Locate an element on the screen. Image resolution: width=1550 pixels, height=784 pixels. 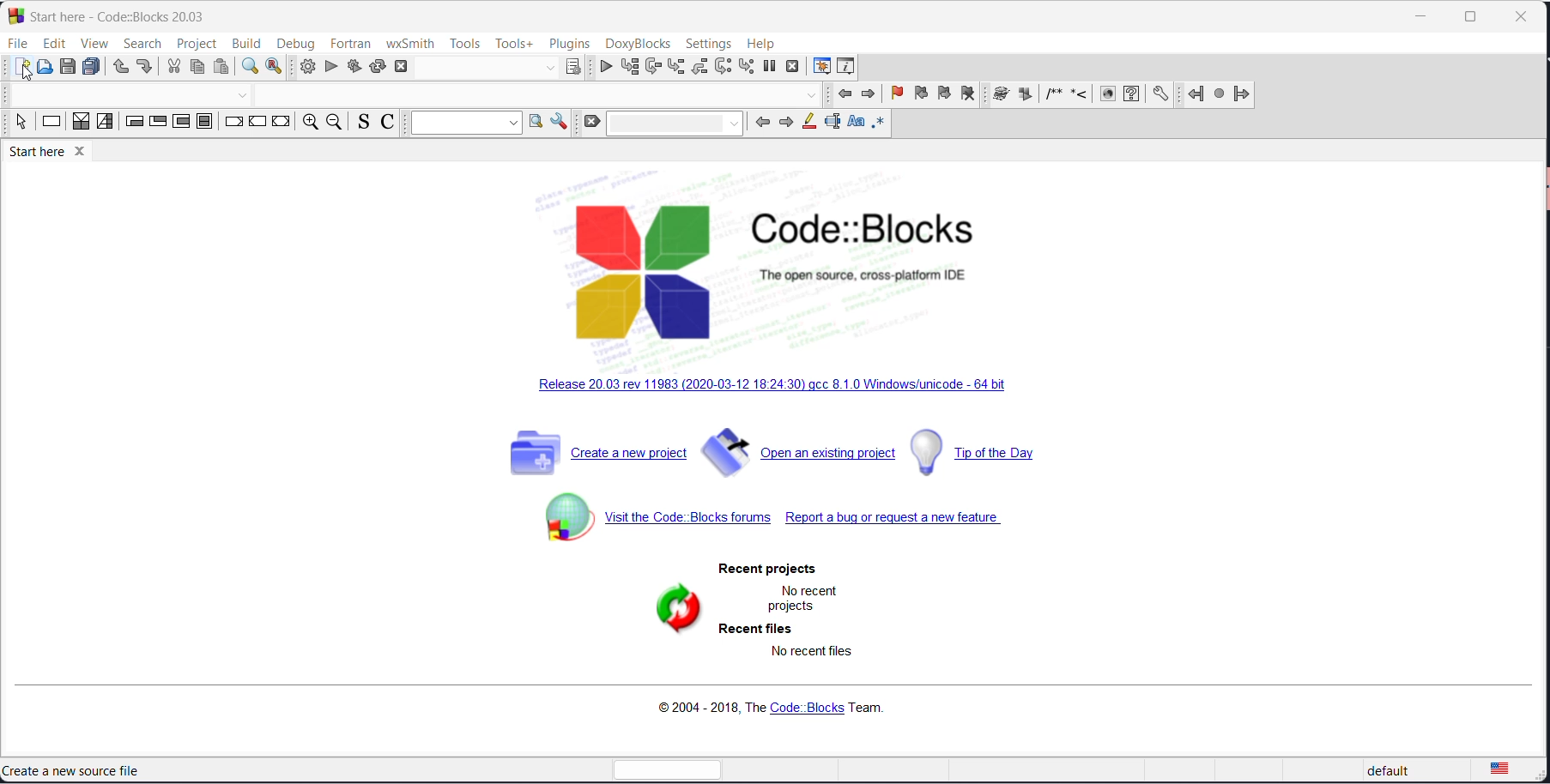
text and dropdown is located at coordinates (464, 124).